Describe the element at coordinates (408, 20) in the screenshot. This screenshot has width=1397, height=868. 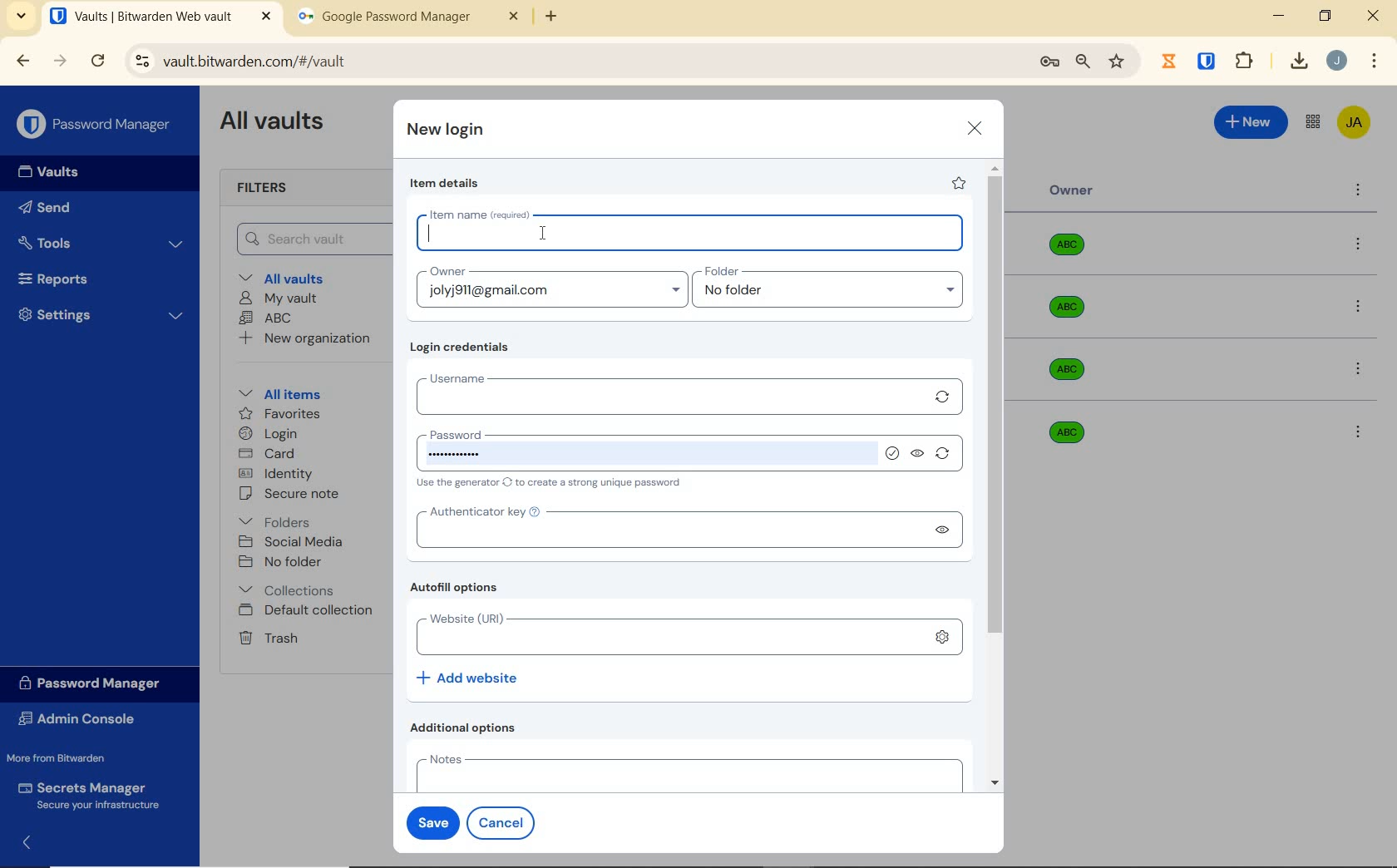
I see `tab` at that location.